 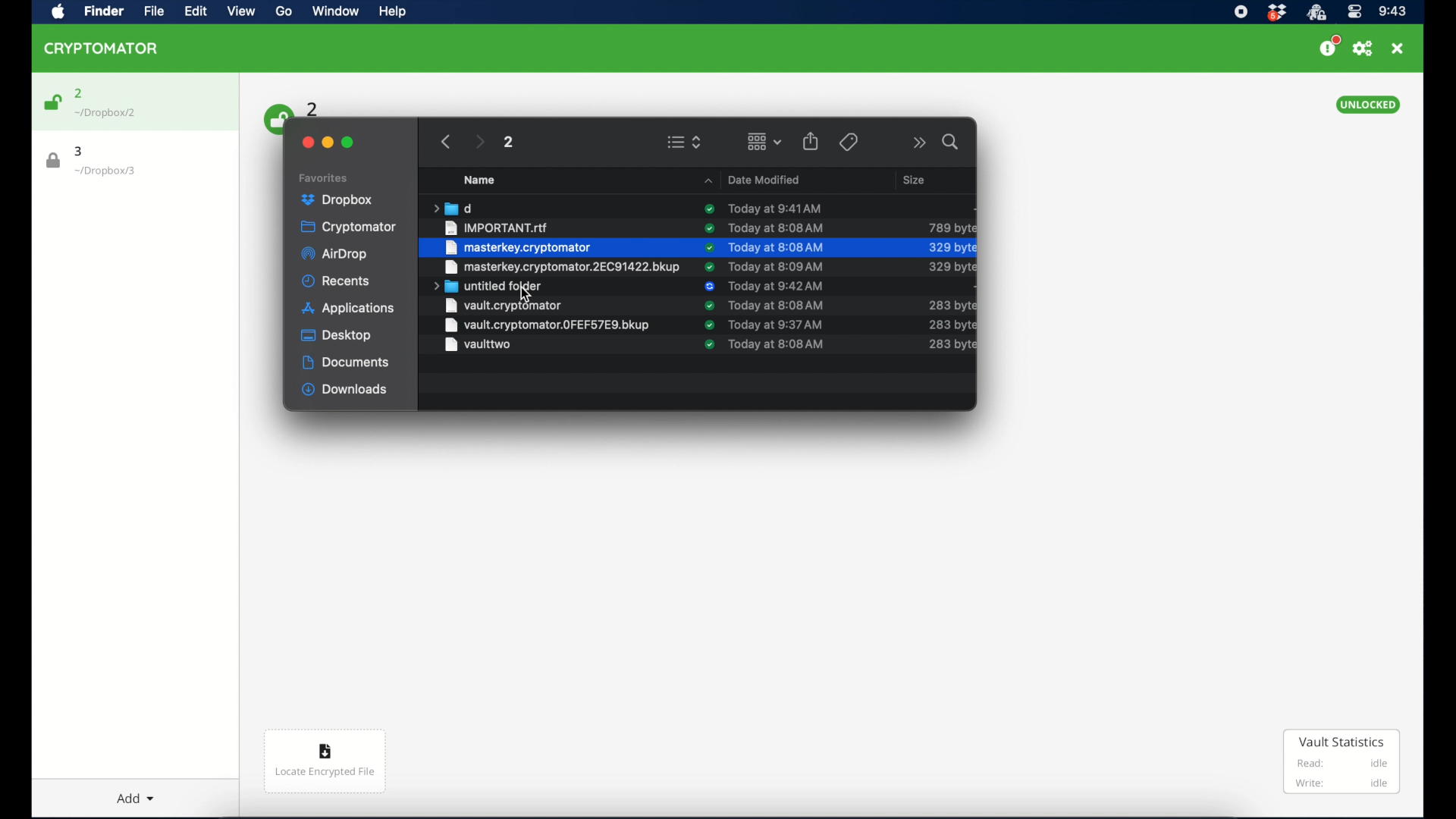 What do you see at coordinates (79, 93) in the screenshot?
I see `2` at bounding box center [79, 93].